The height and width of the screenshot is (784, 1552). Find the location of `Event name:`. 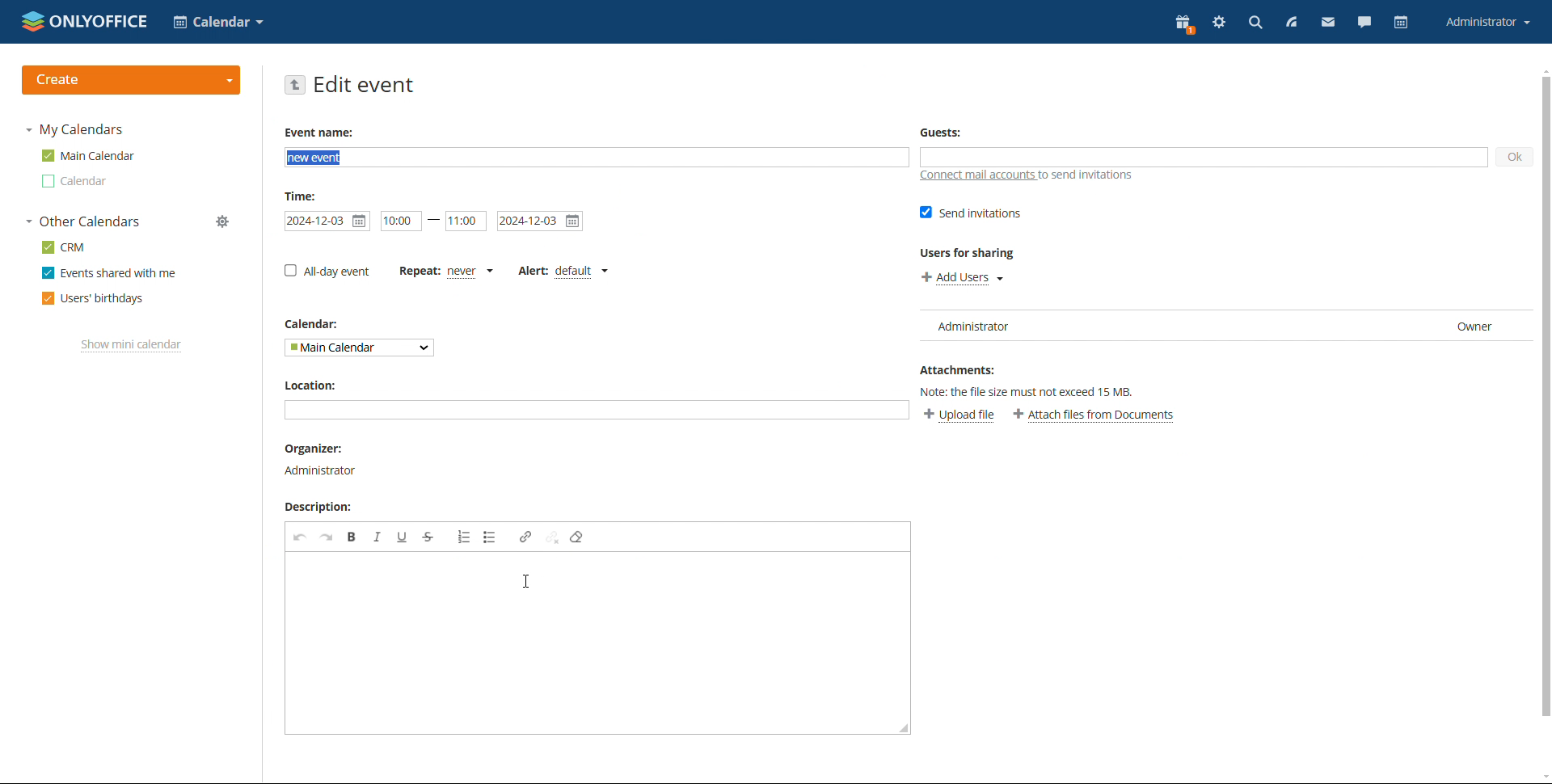

Event name: is located at coordinates (322, 133).